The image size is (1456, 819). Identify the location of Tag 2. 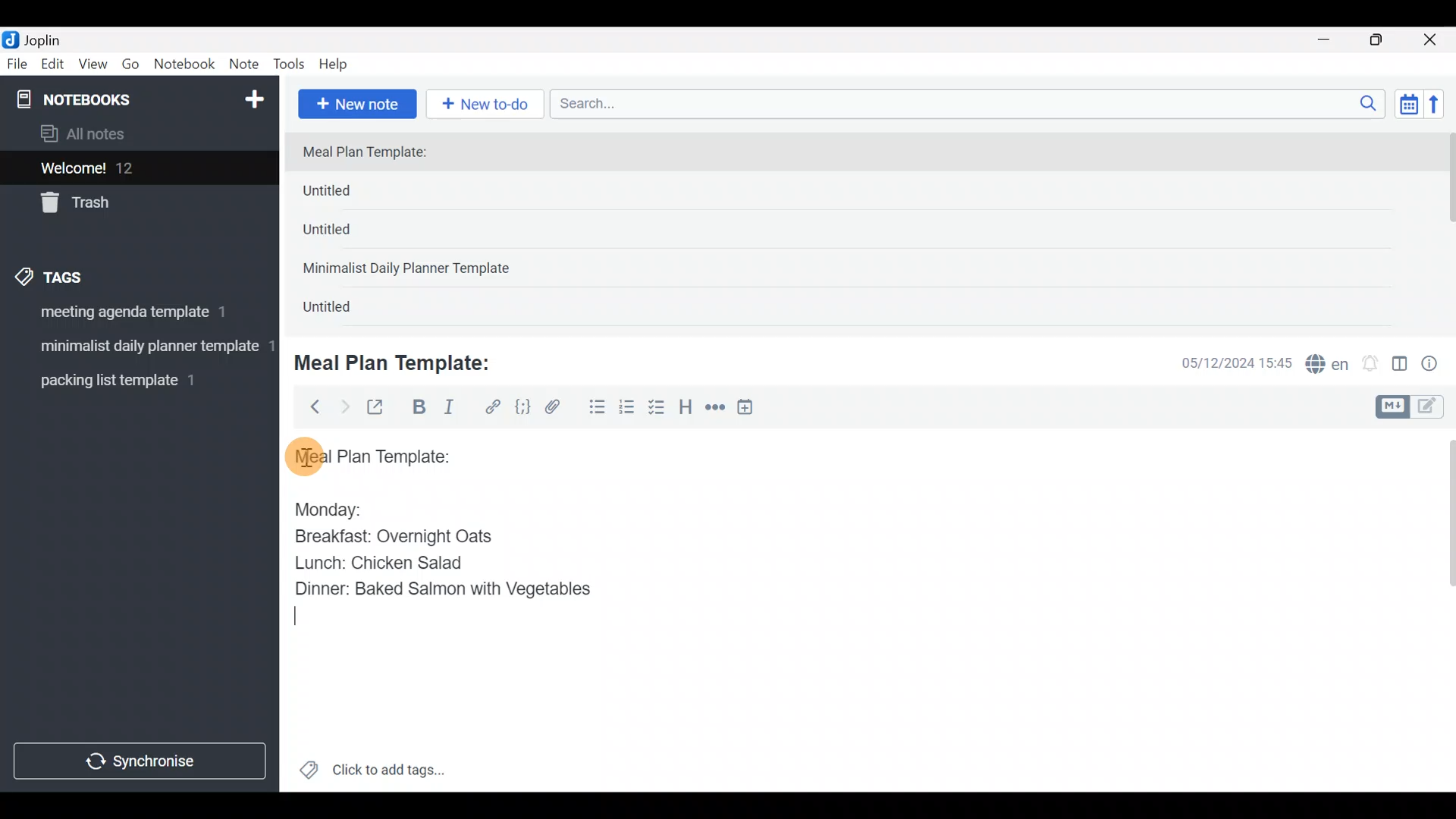
(139, 348).